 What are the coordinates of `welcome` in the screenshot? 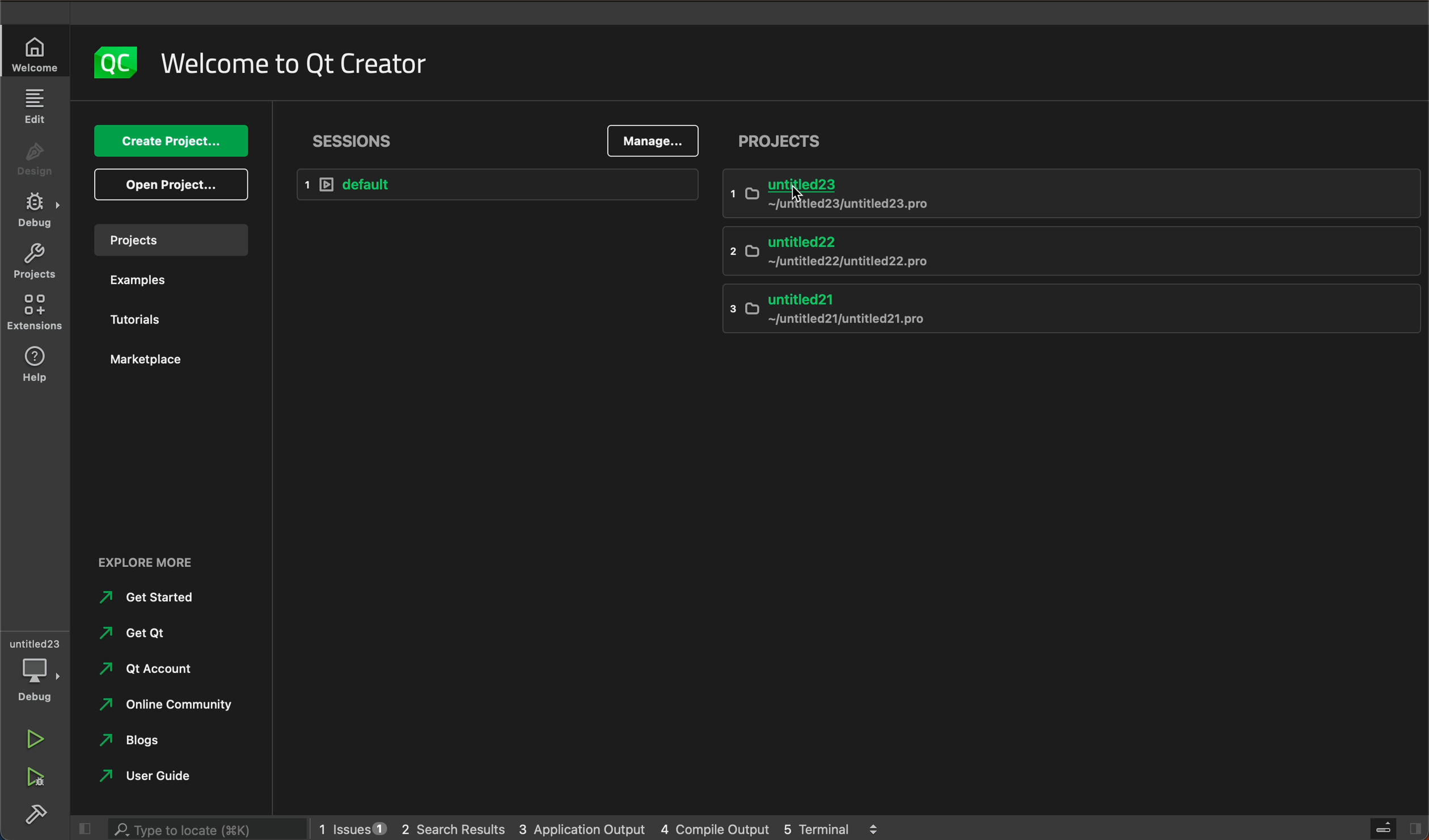 It's located at (36, 55).